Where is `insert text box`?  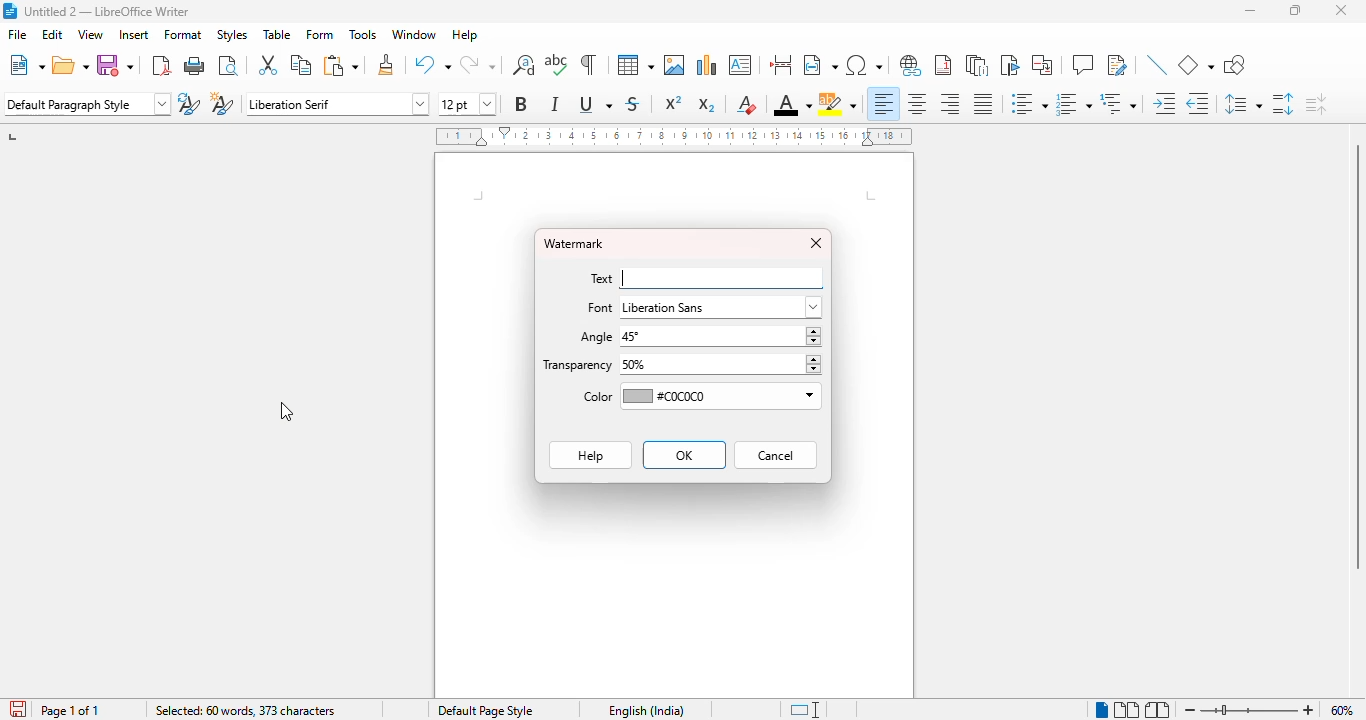
insert text box is located at coordinates (740, 65).